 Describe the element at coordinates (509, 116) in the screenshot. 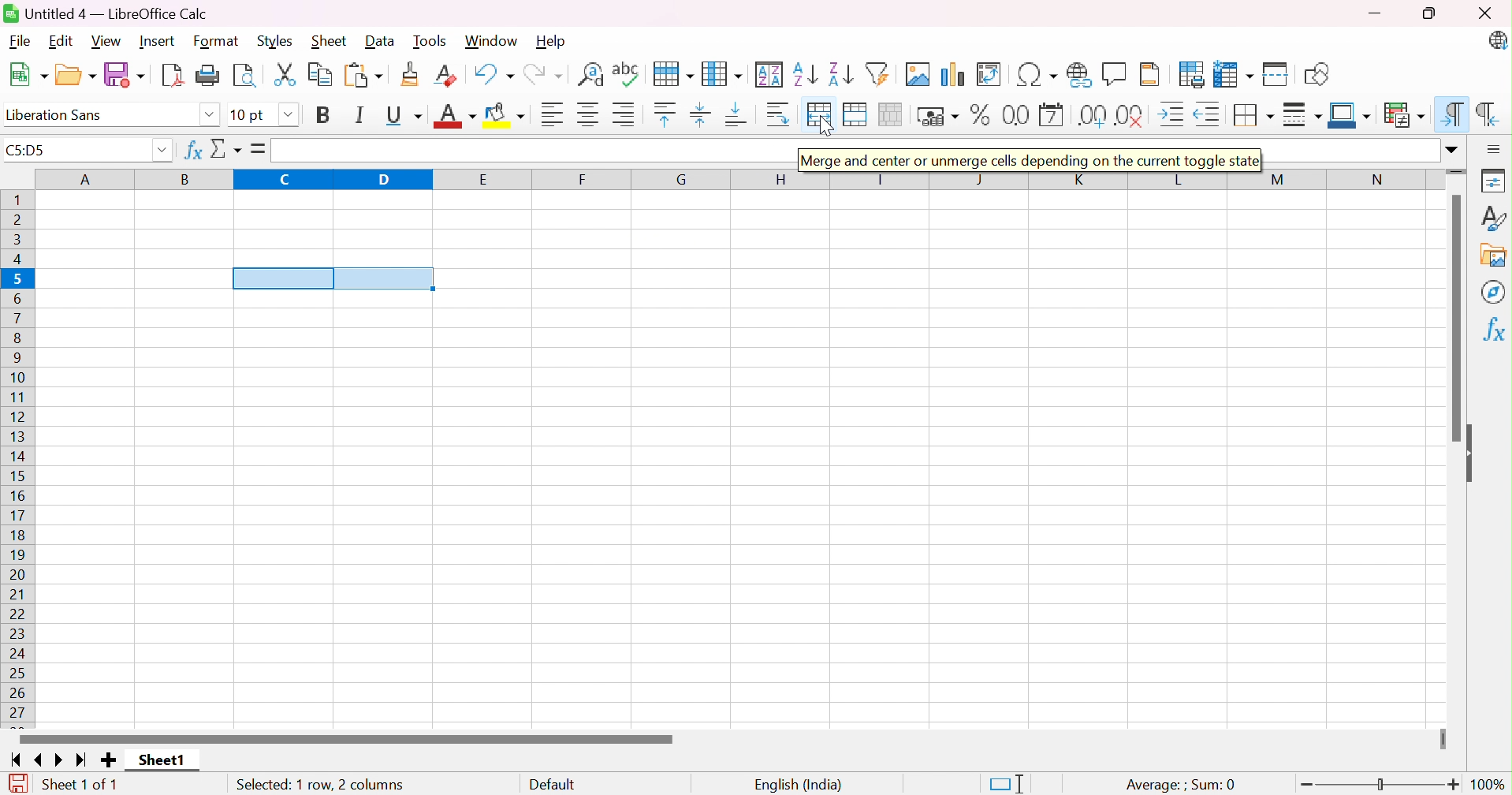

I see `Background Color` at that location.